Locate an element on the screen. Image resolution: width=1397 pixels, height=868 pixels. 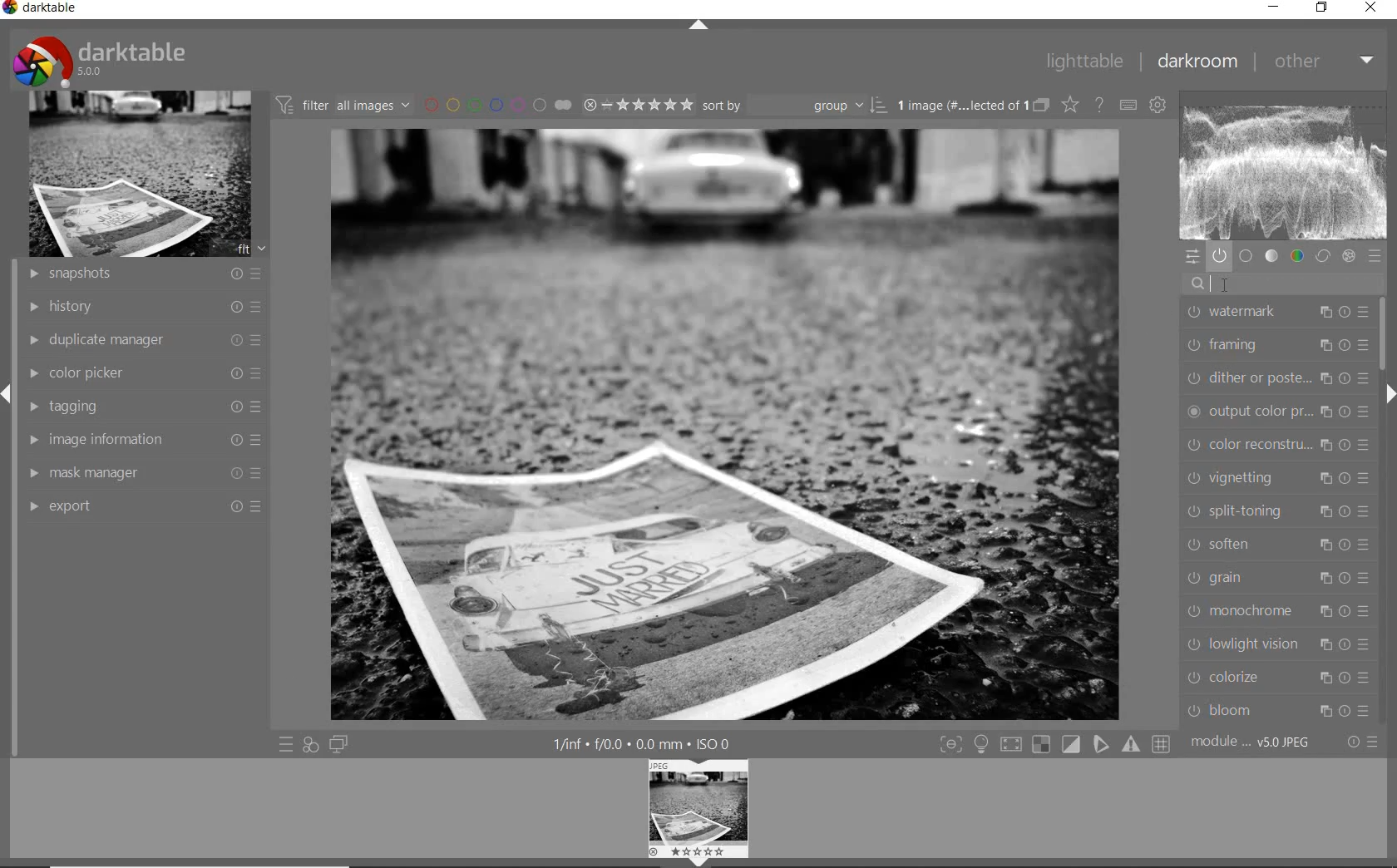
effect is located at coordinates (1348, 256).